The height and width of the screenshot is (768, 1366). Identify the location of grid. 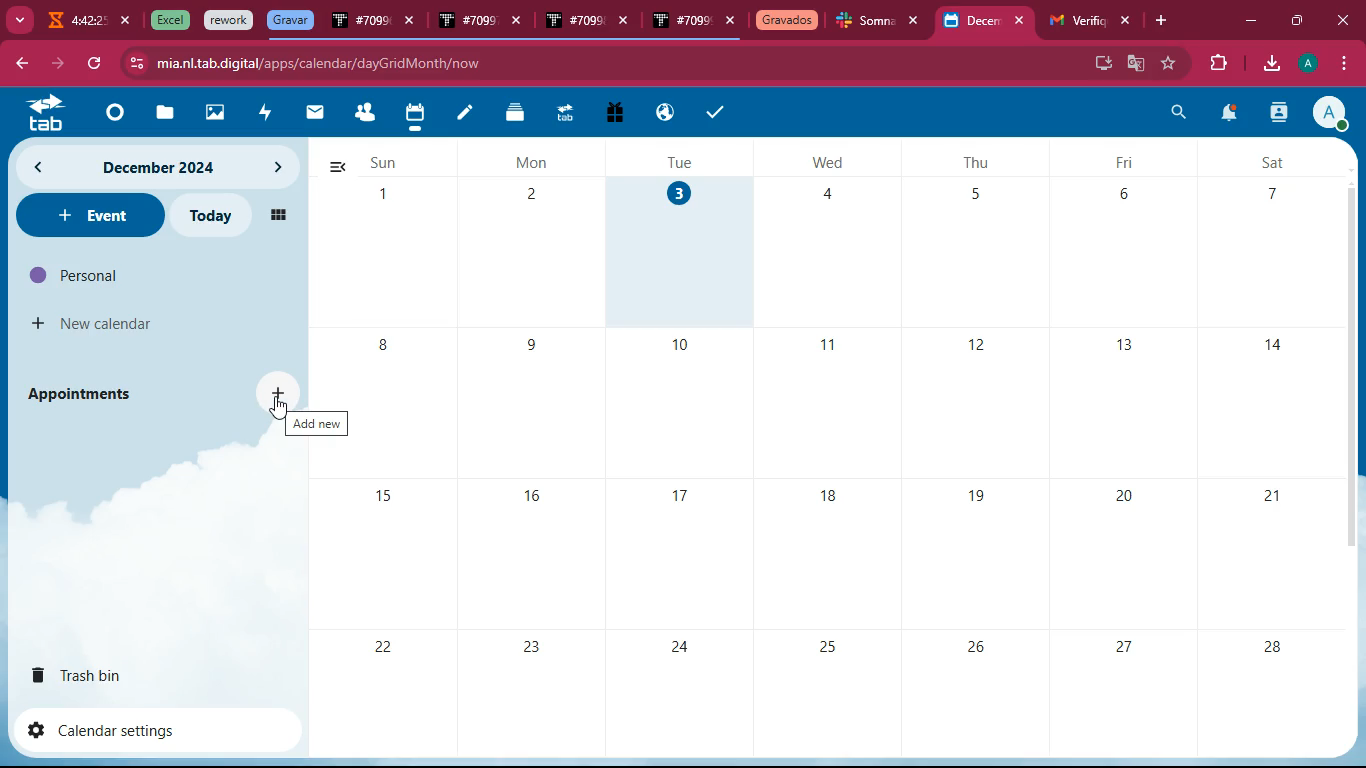
(274, 213).